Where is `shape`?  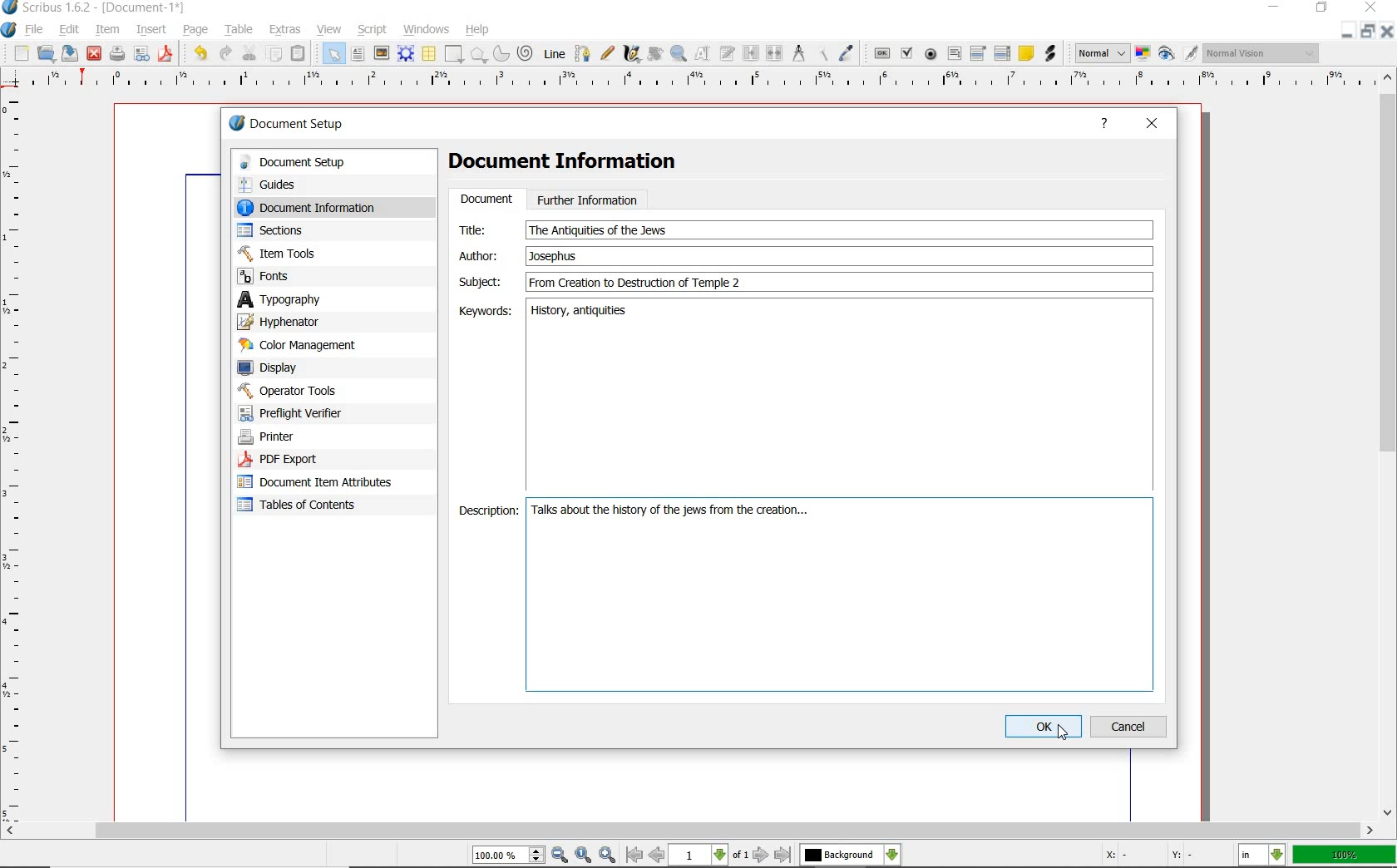 shape is located at coordinates (454, 53).